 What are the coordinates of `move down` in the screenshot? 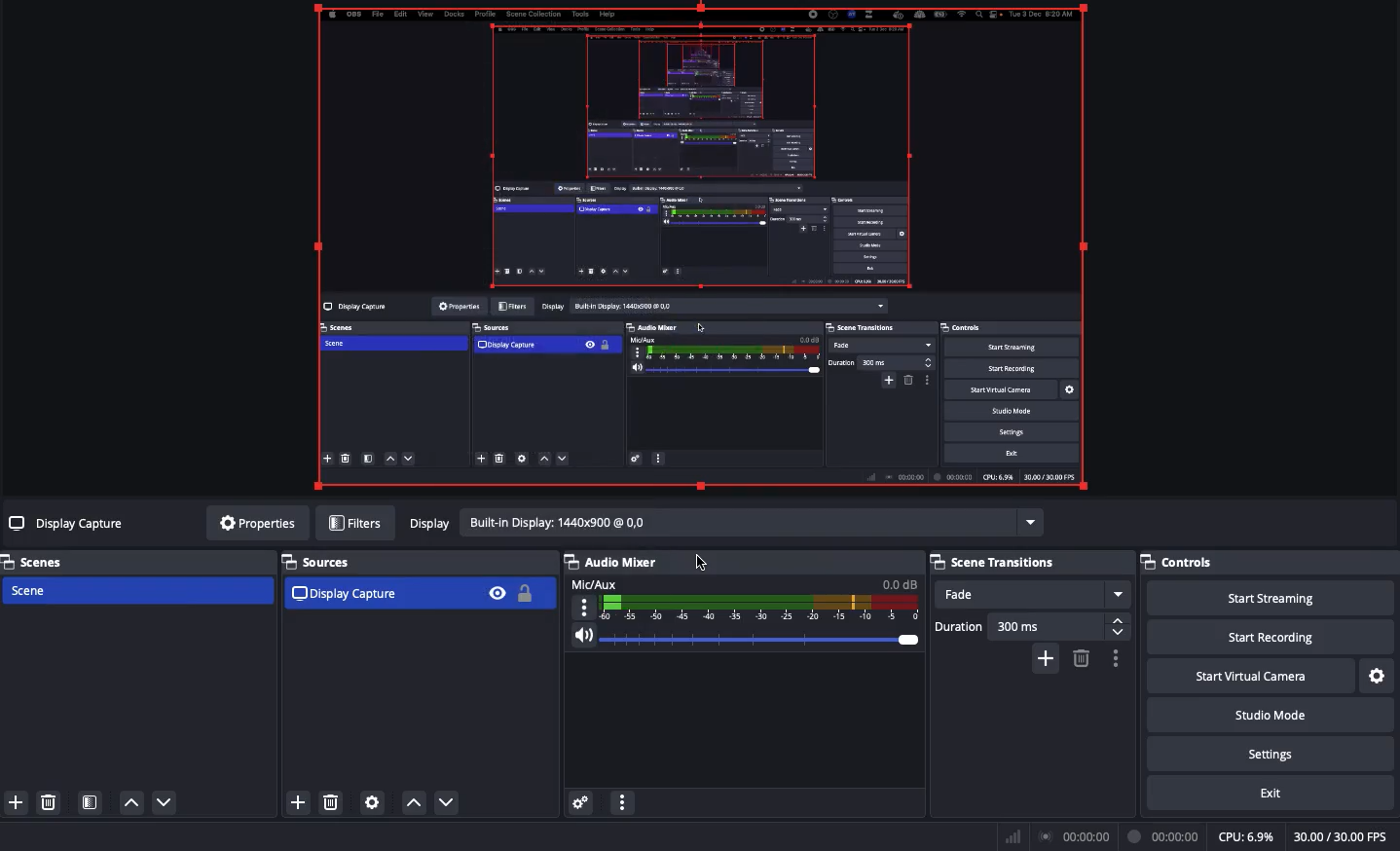 It's located at (450, 803).